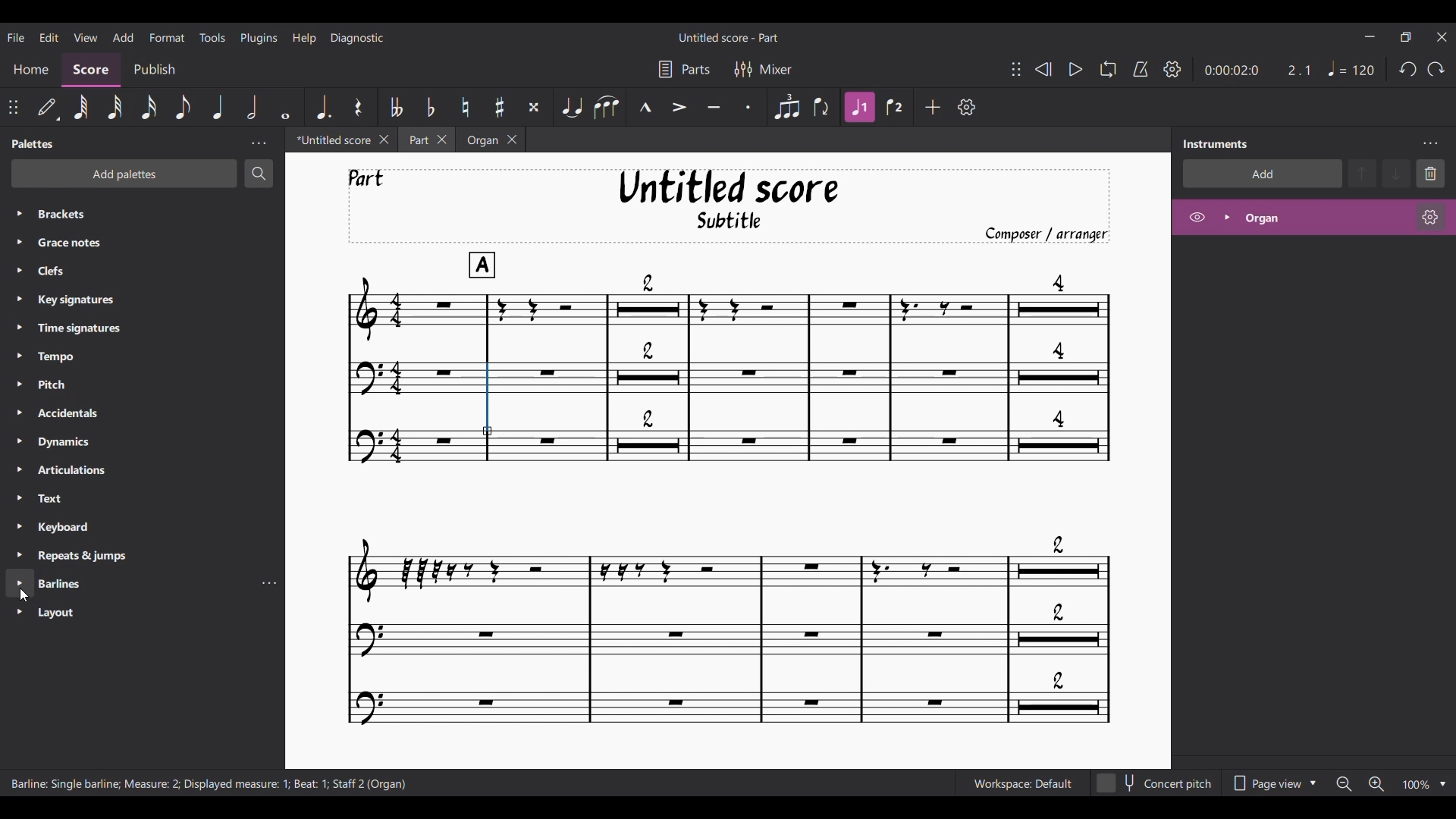  What do you see at coordinates (30, 69) in the screenshot?
I see `Home section` at bounding box center [30, 69].